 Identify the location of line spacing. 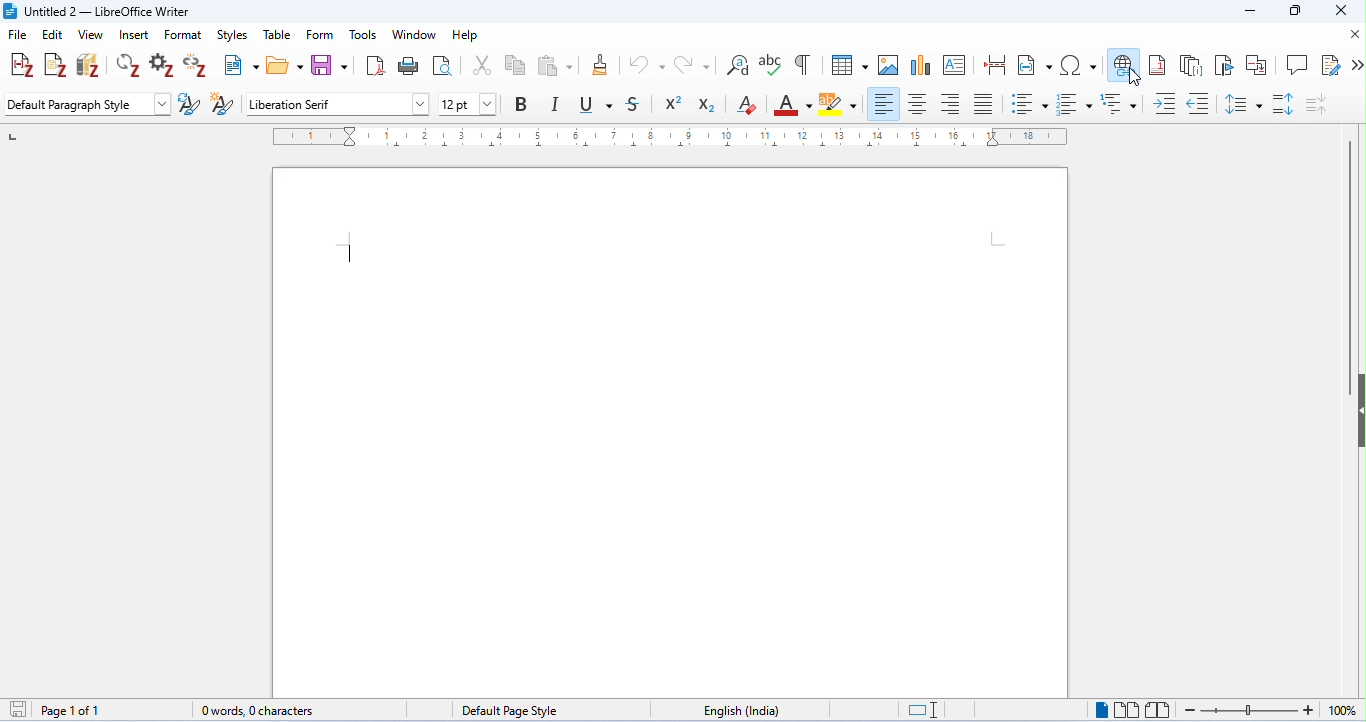
(1244, 103).